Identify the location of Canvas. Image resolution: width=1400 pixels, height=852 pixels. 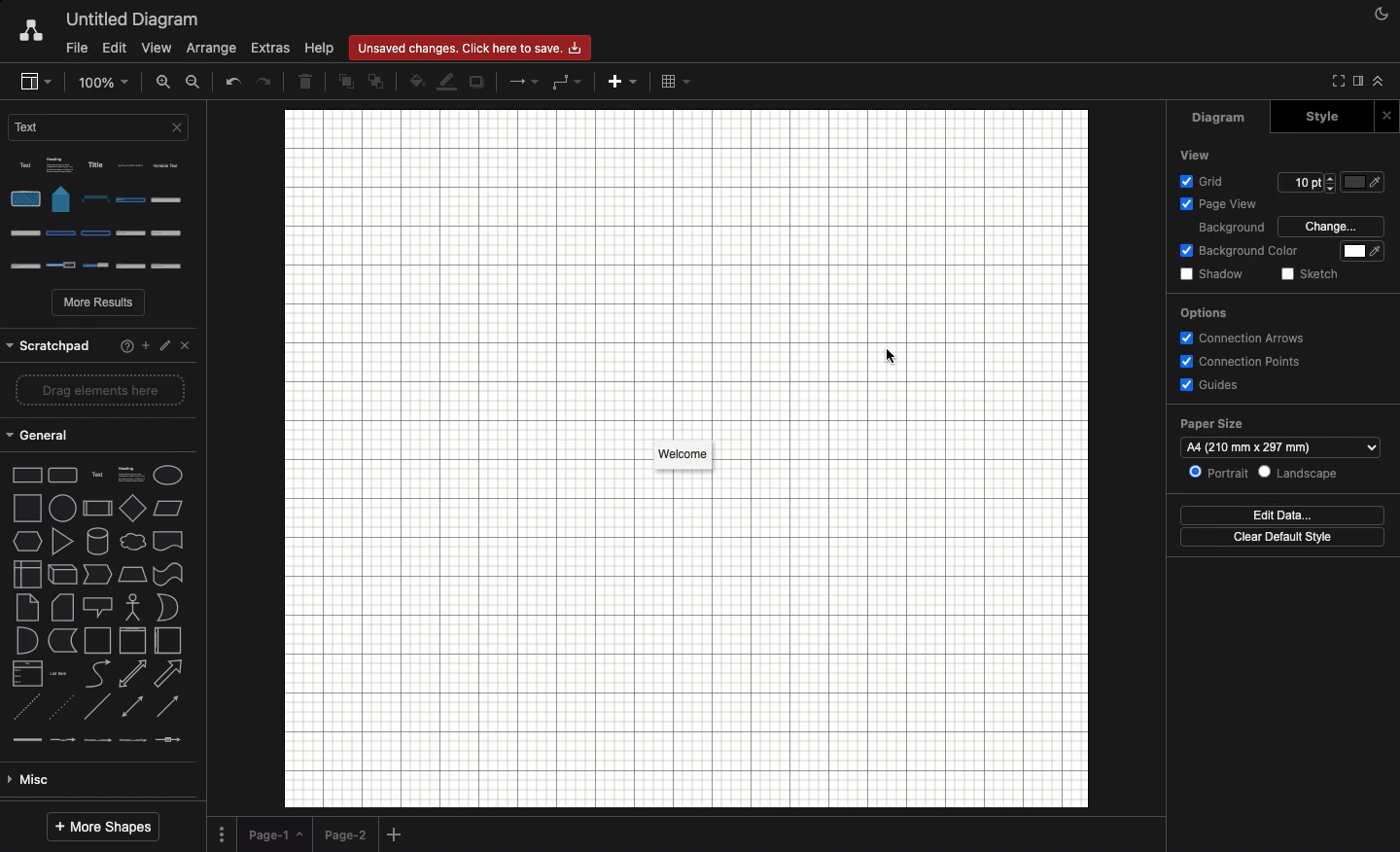
(686, 459).